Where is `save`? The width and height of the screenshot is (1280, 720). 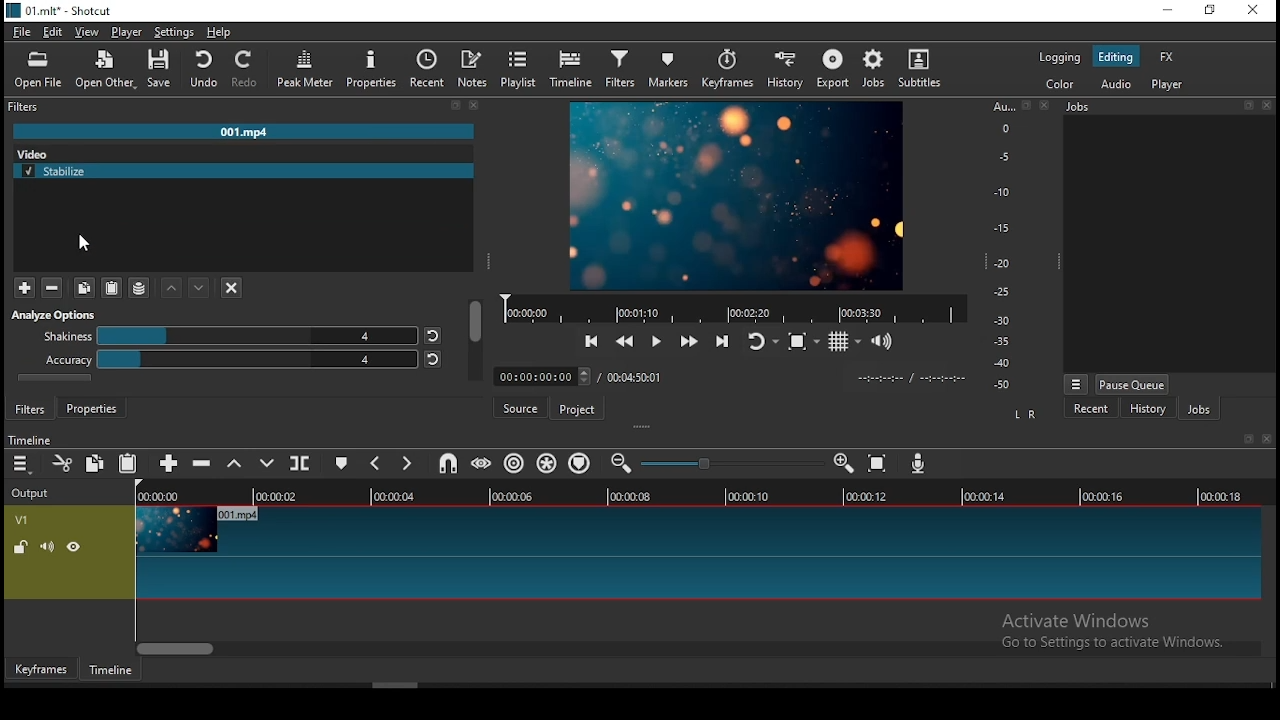
save is located at coordinates (163, 67).